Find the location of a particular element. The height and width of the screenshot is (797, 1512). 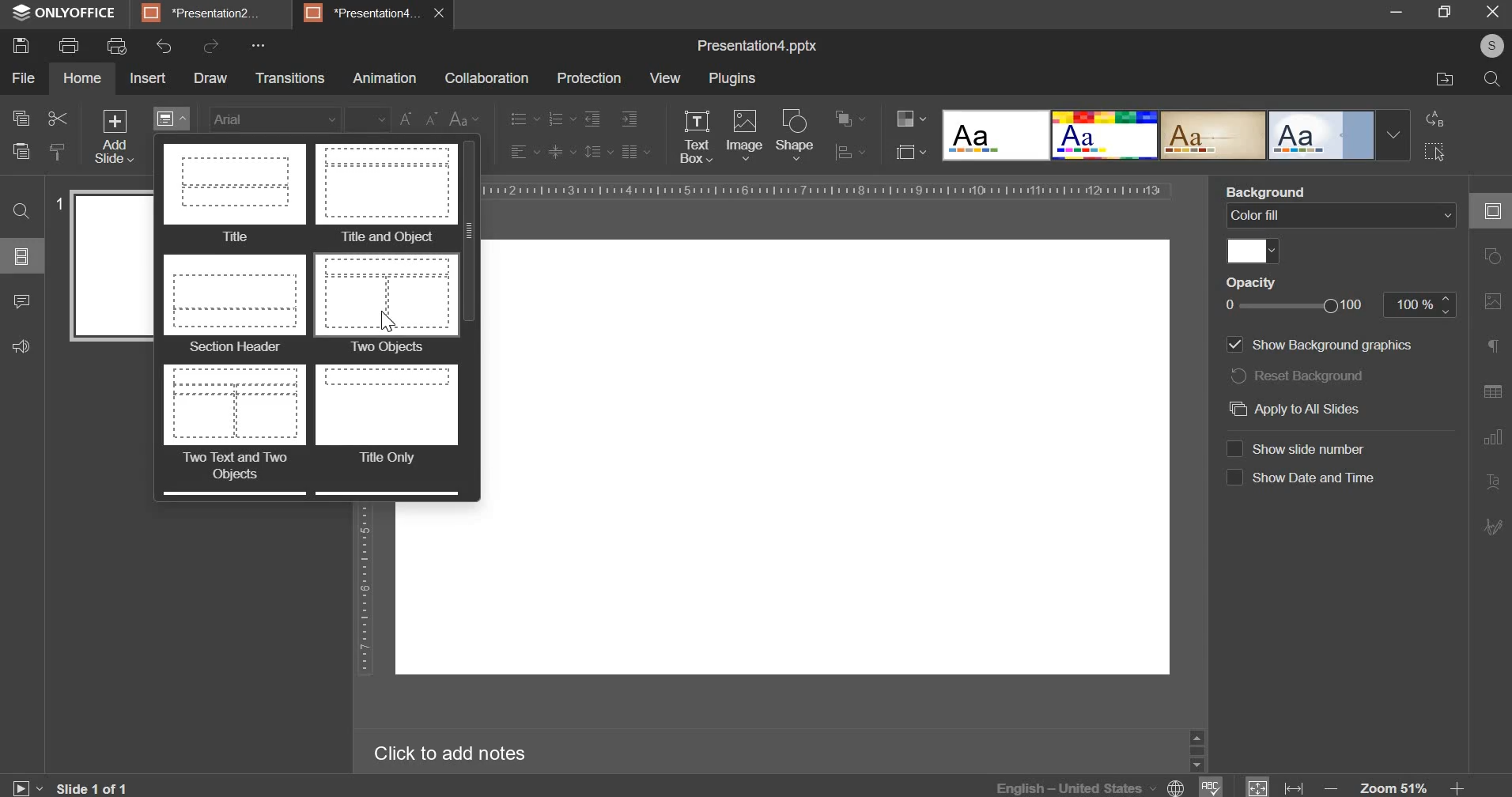

decrease indent is located at coordinates (591, 120).